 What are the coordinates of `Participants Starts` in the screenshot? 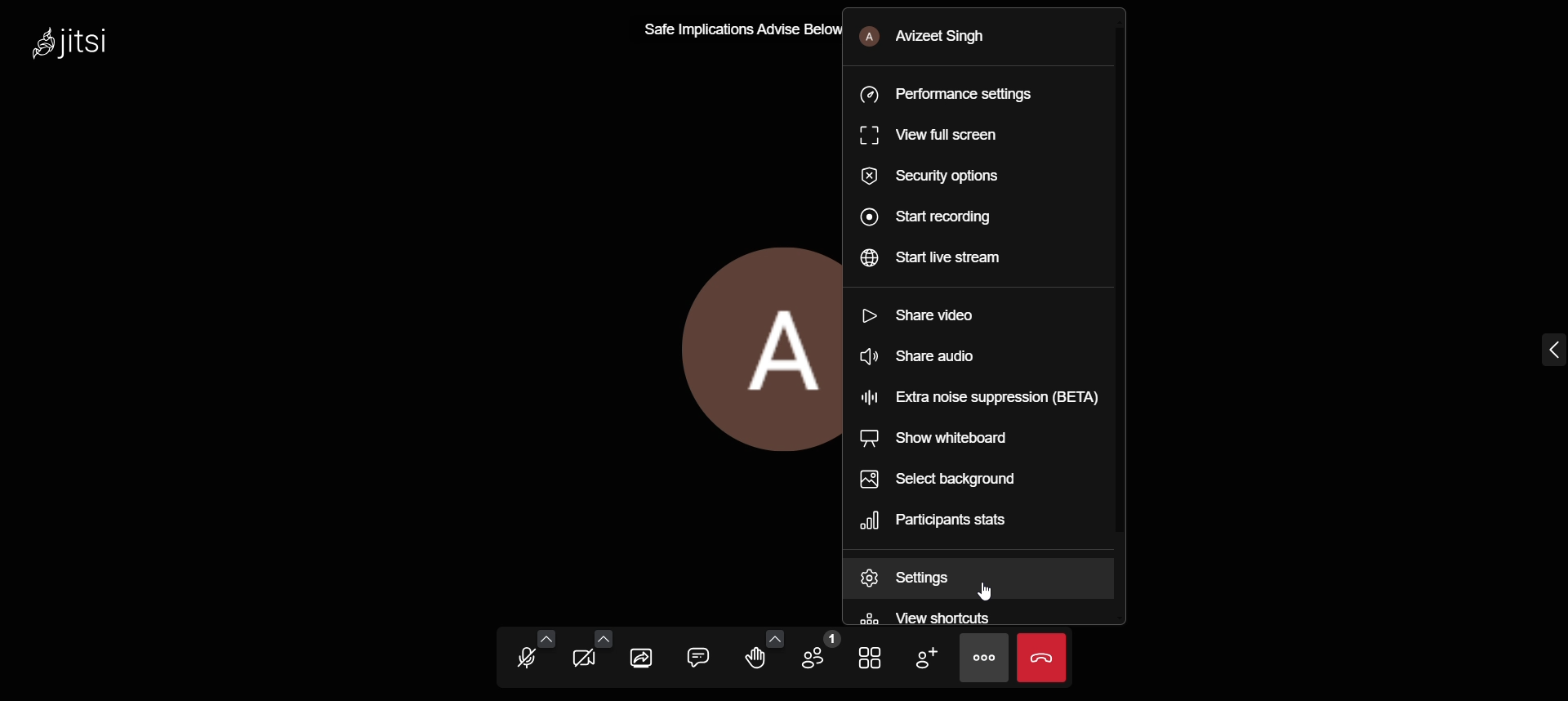 It's located at (964, 524).